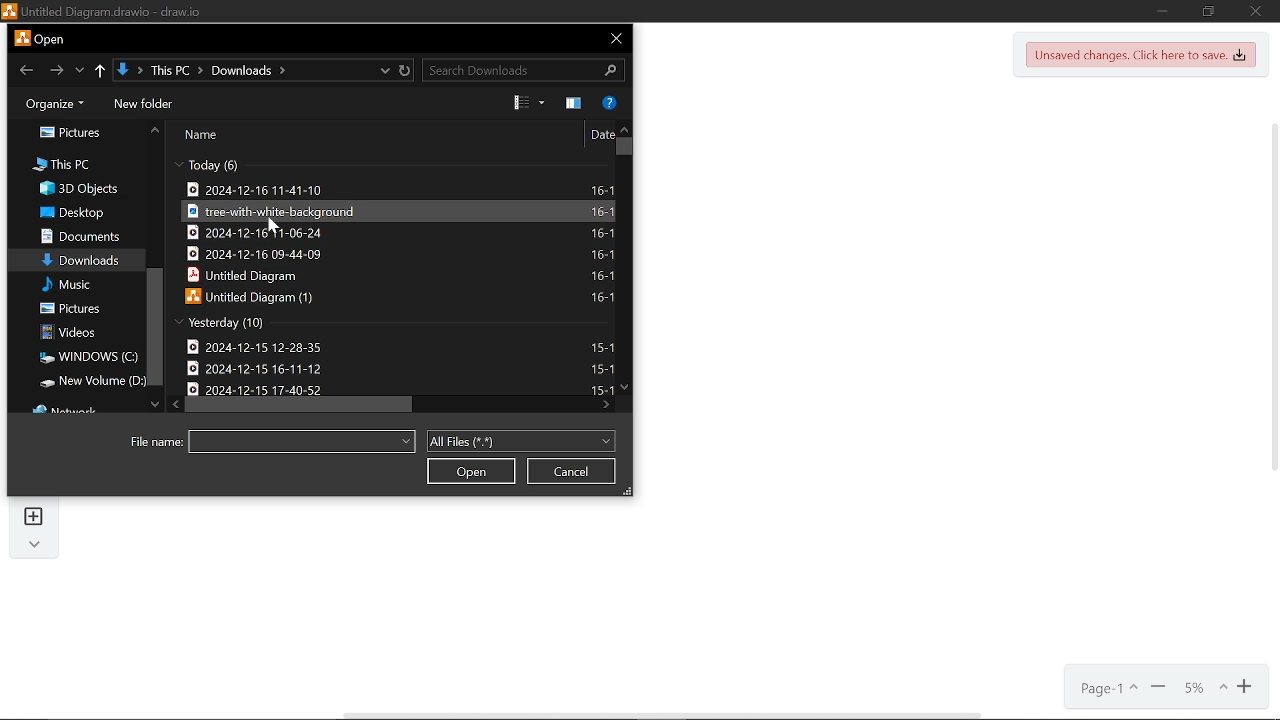  Describe the element at coordinates (213, 323) in the screenshot. I see `hide files created yesterday` at that location.